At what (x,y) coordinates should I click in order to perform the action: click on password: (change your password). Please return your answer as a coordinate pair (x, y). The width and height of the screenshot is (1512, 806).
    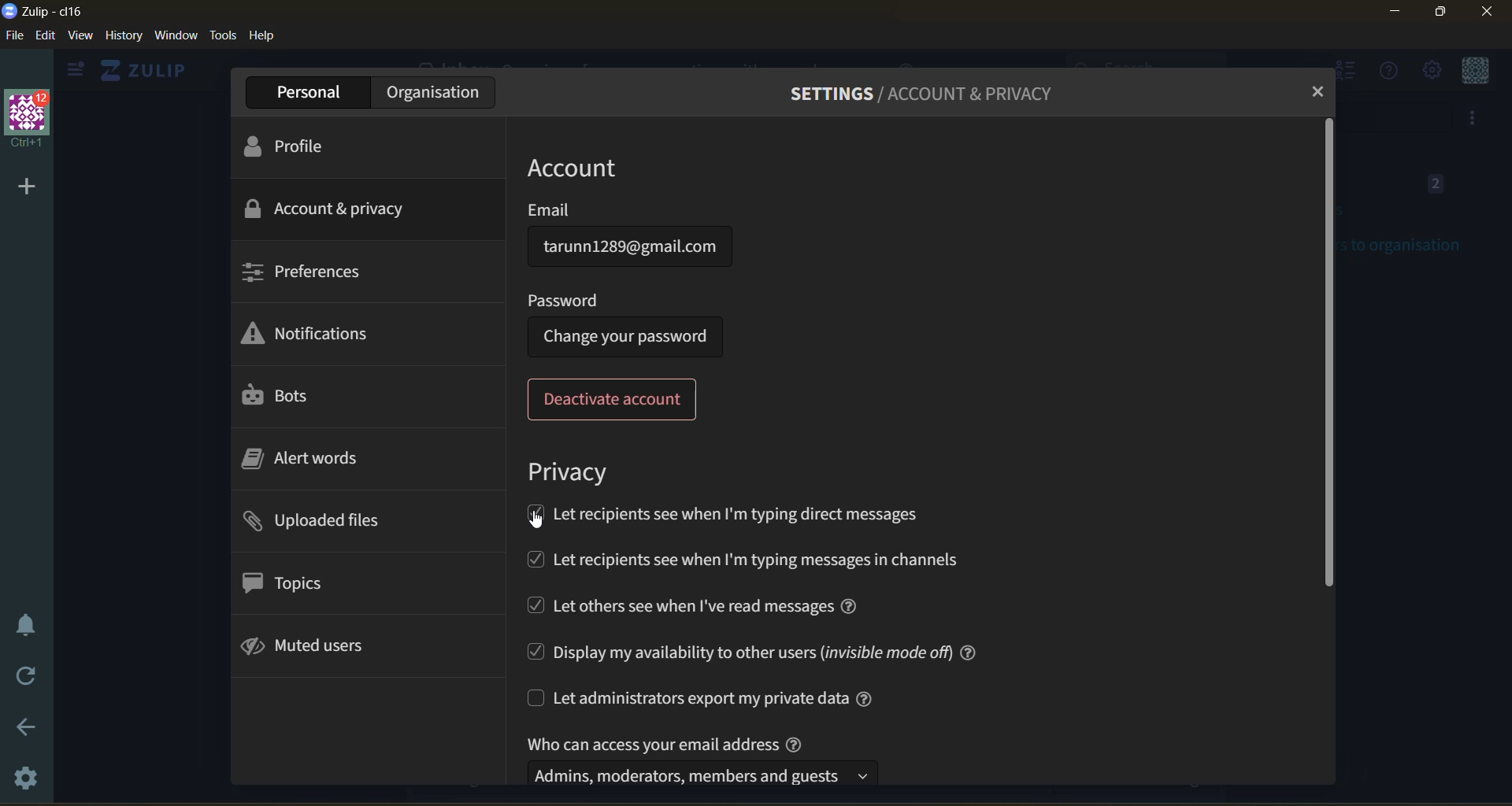
    Looking at the image, I should click on (632, 323).